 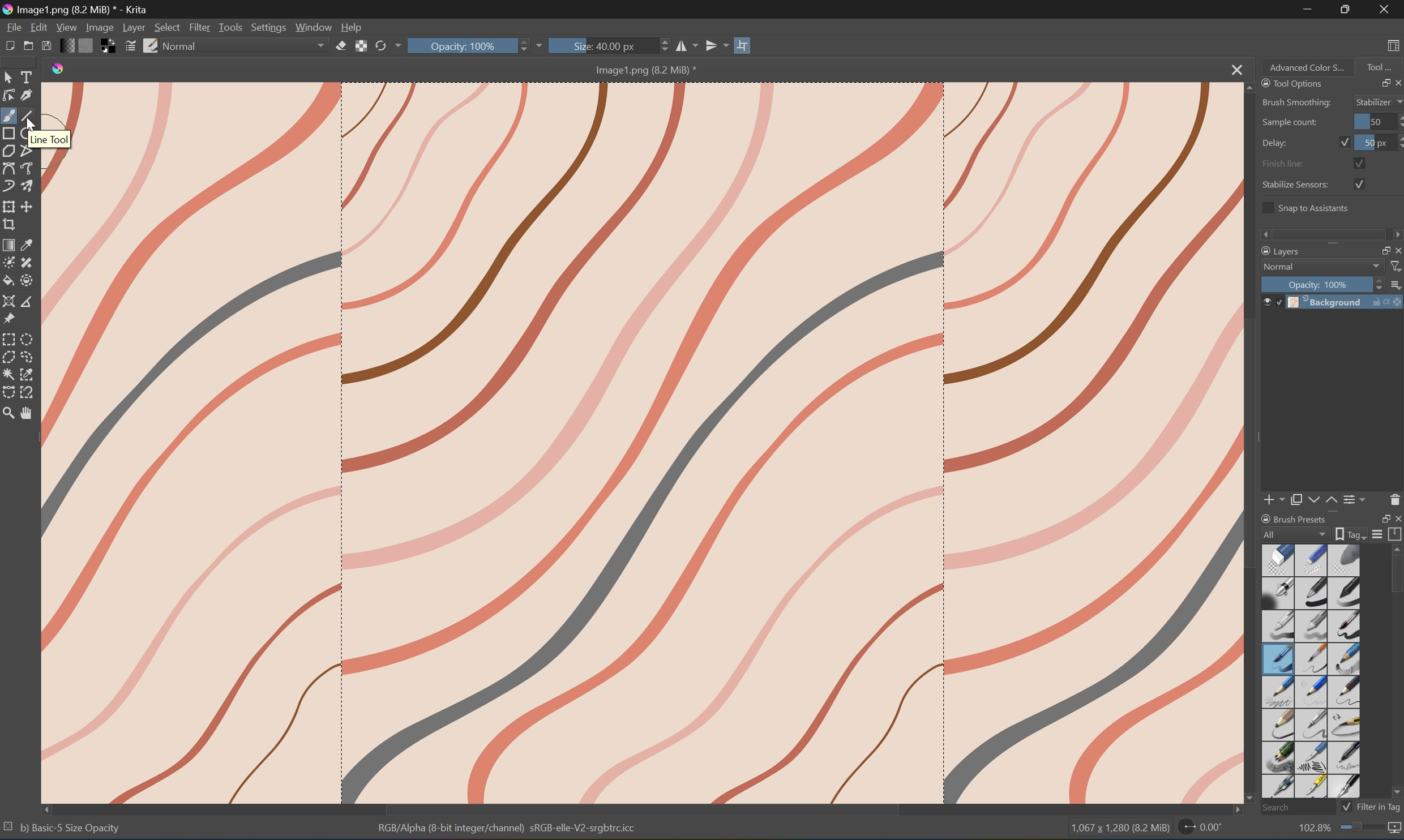 What do you see at coordinates (1275, 499) in the screenshot?
I see `Add new layer` at bounding box center [1275, 499].